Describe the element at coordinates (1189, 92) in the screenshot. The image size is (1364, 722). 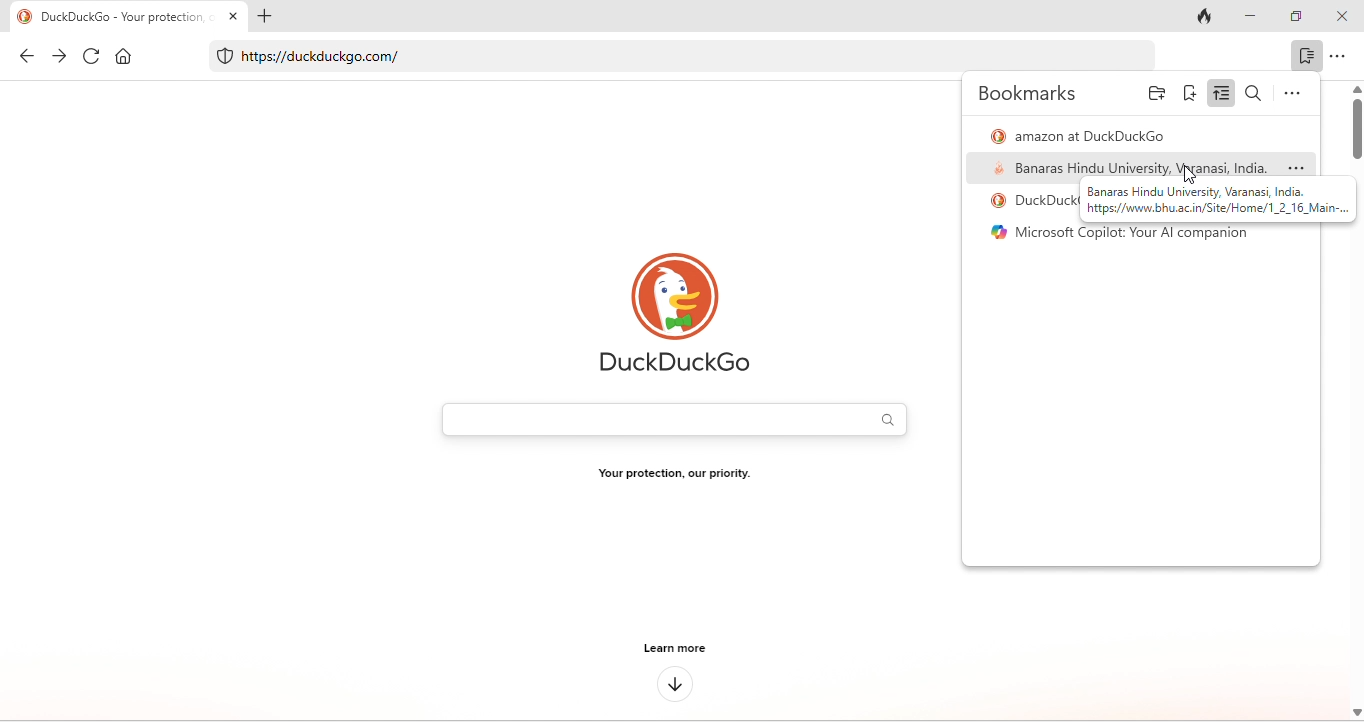
I see `add bookmark` at that location.